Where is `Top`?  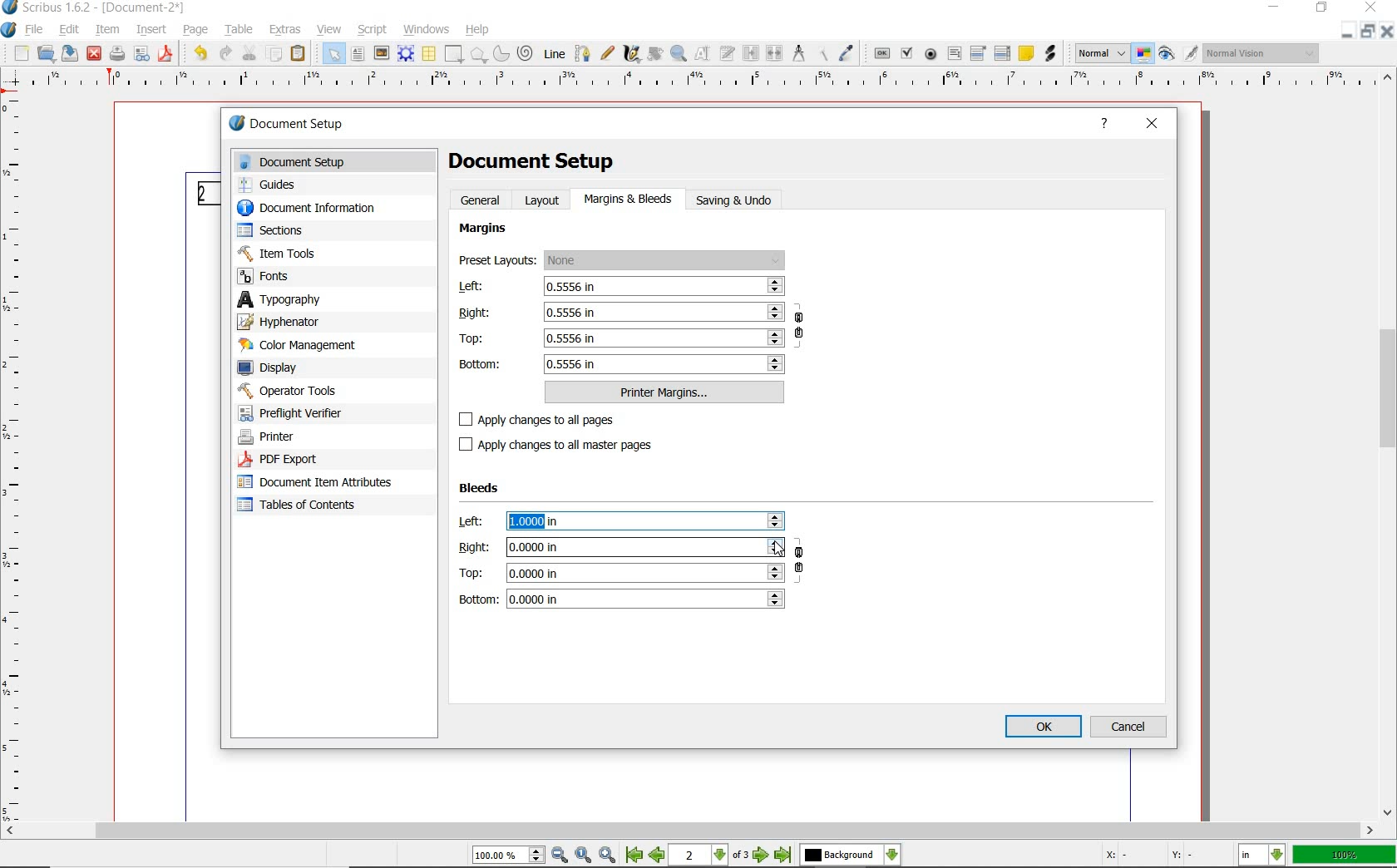 Top is located at coordinates (621, 572).